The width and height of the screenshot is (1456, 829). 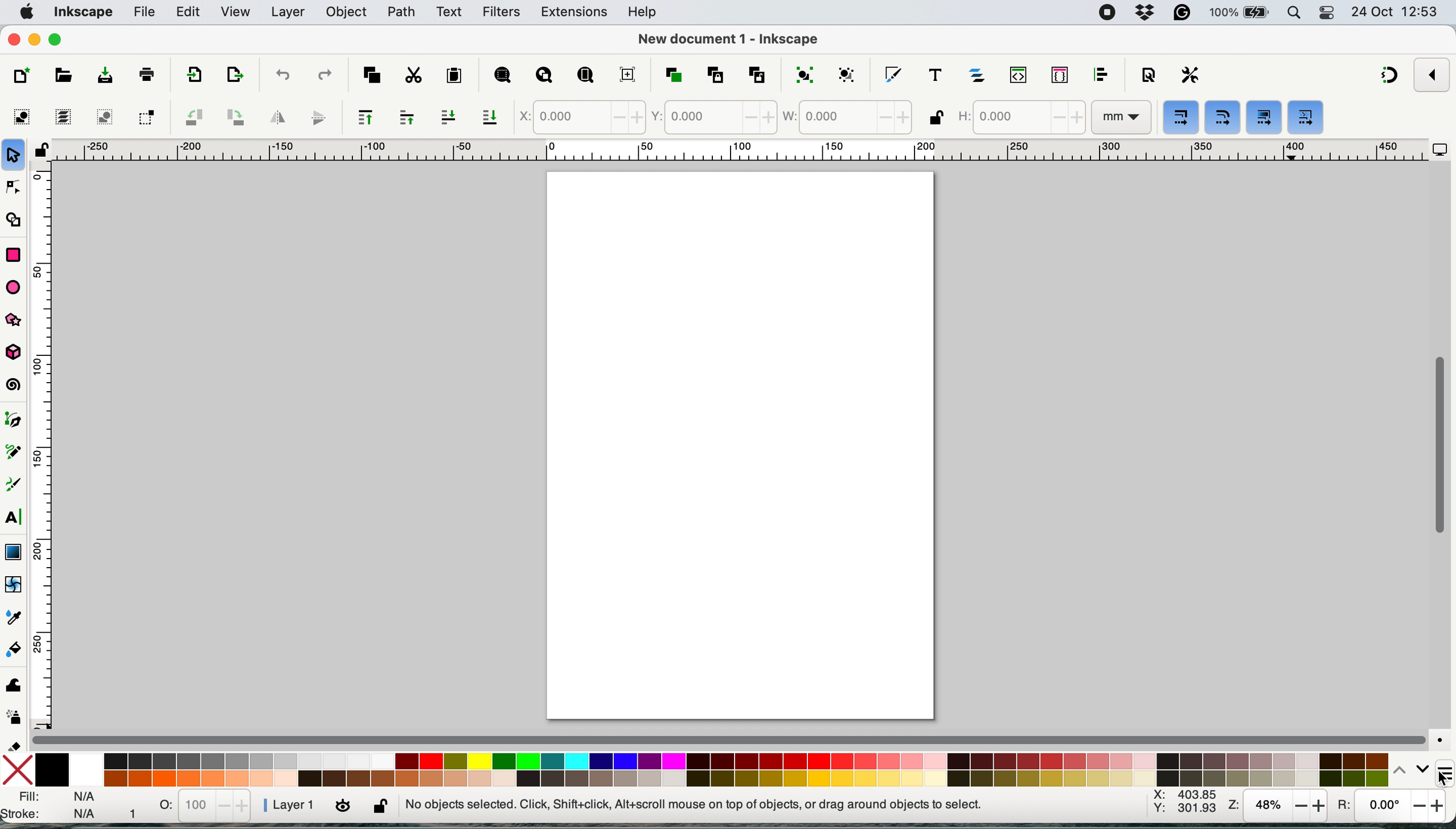 I want to click on spiral tool, so click(x=16, y=384).